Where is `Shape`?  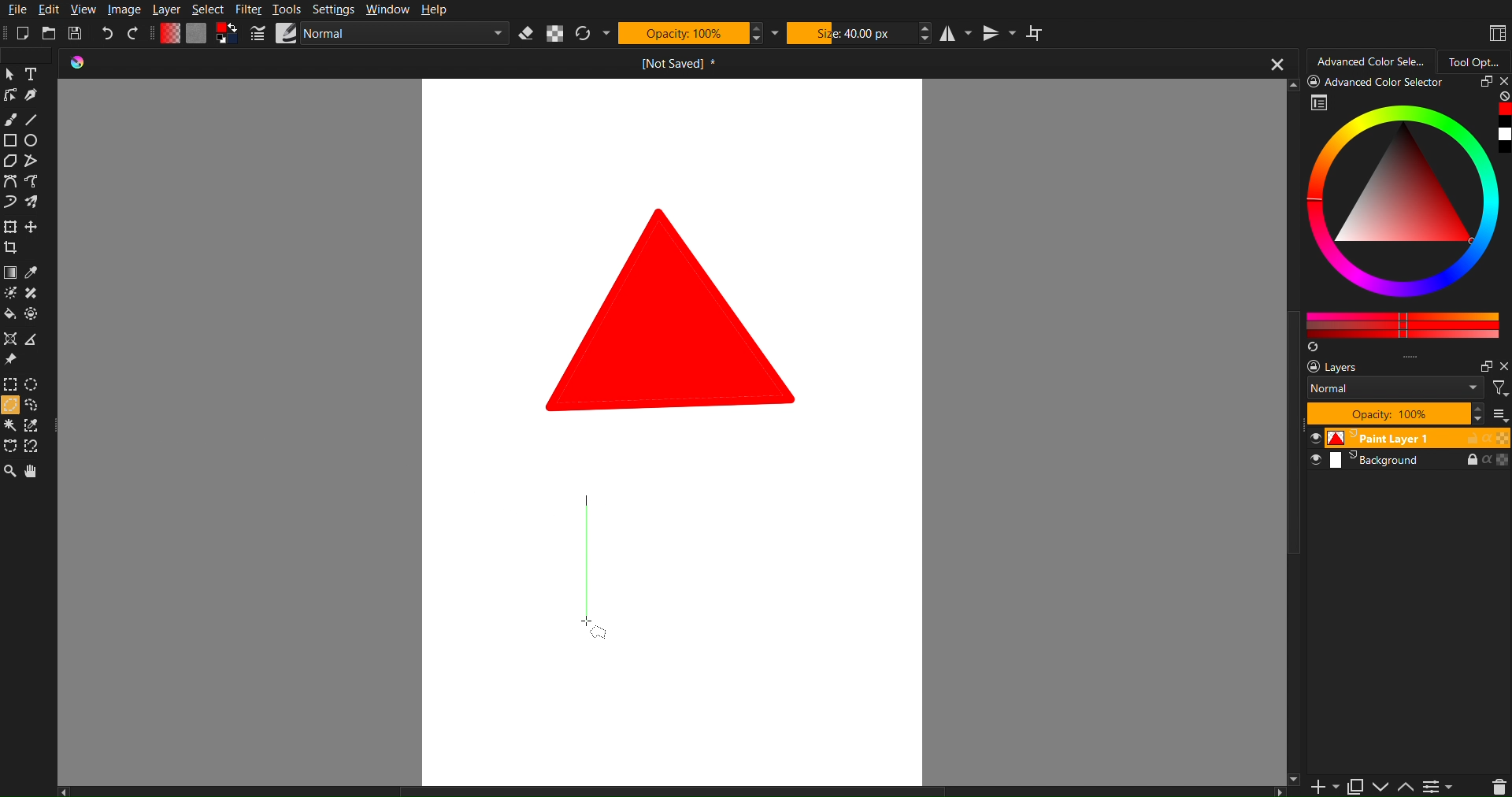 Shape is located at coordinates (675, 308).